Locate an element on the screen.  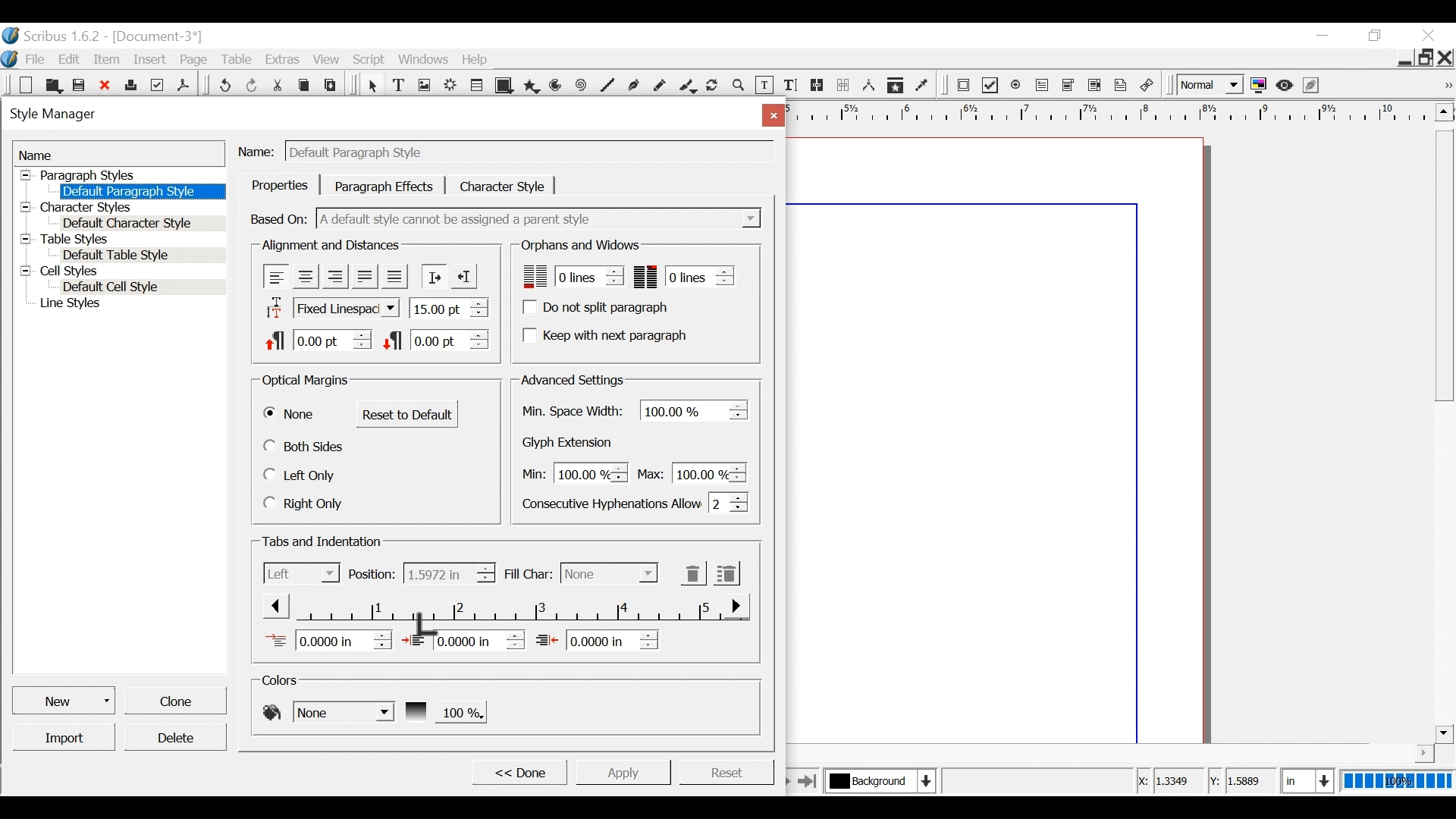
Fill Char is located at coordinates (527, 575).